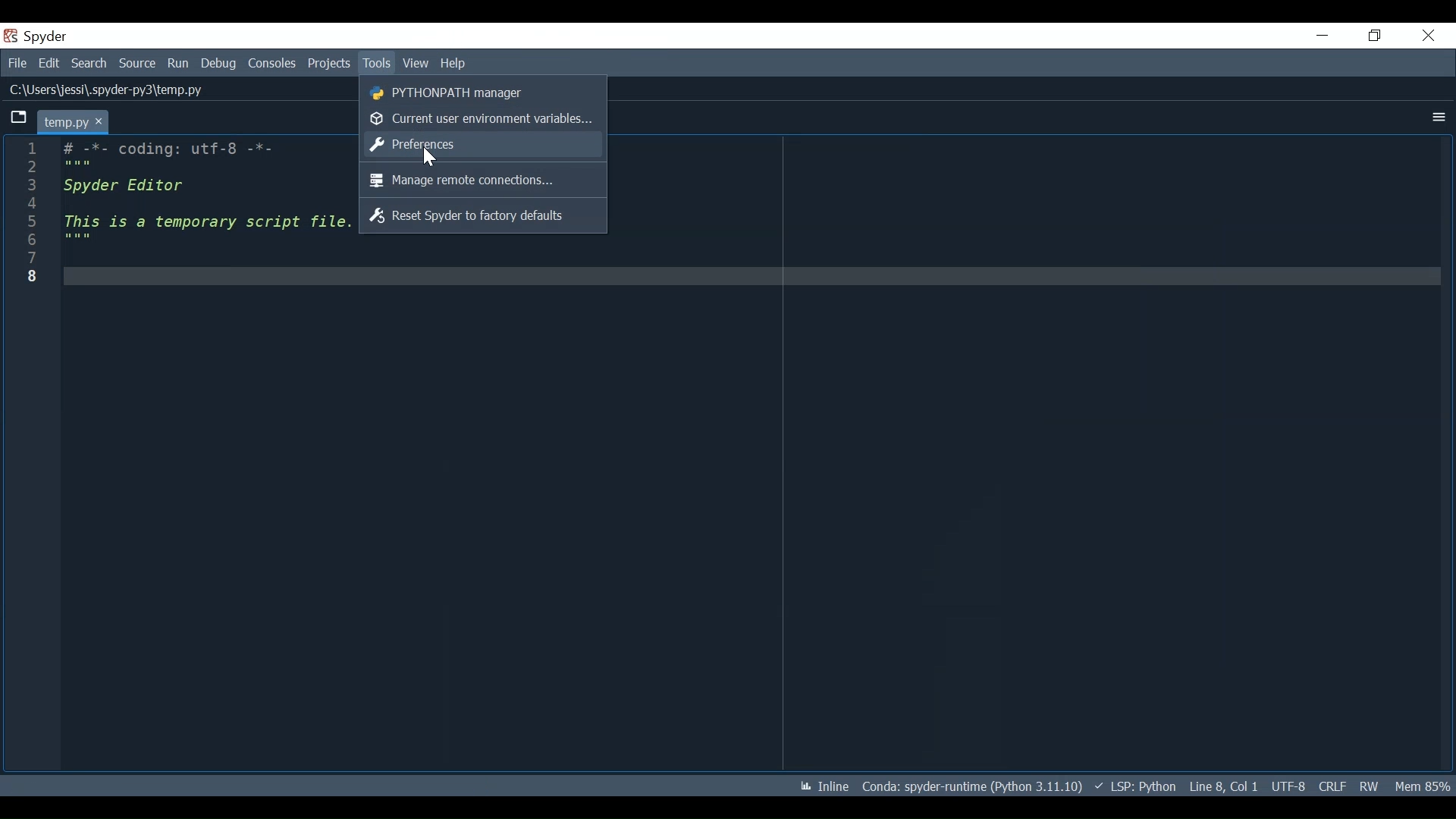  I want to click on View, so click(415, 64).